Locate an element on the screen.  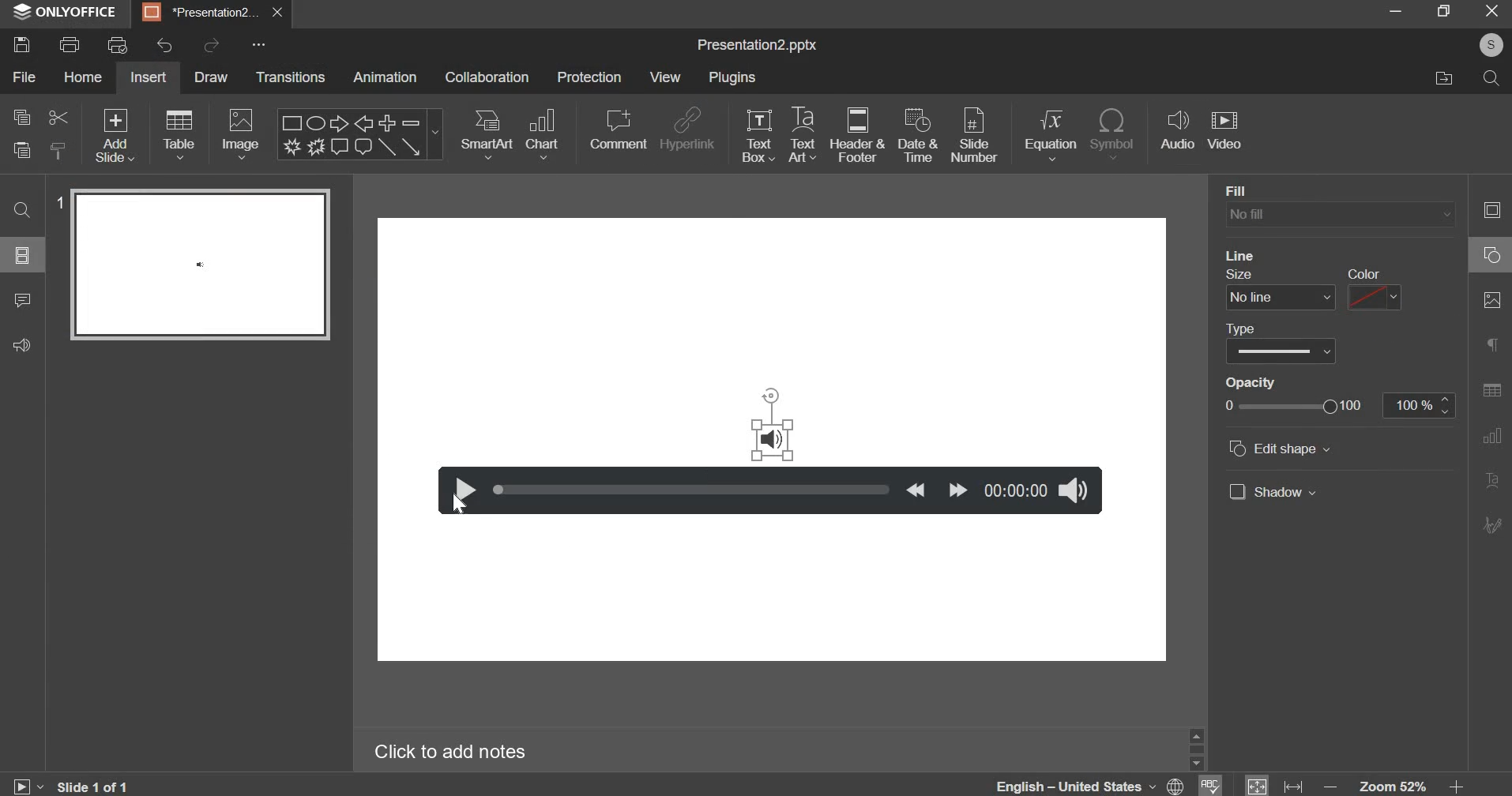
onlyoffice is located at coordinates (66, 13).